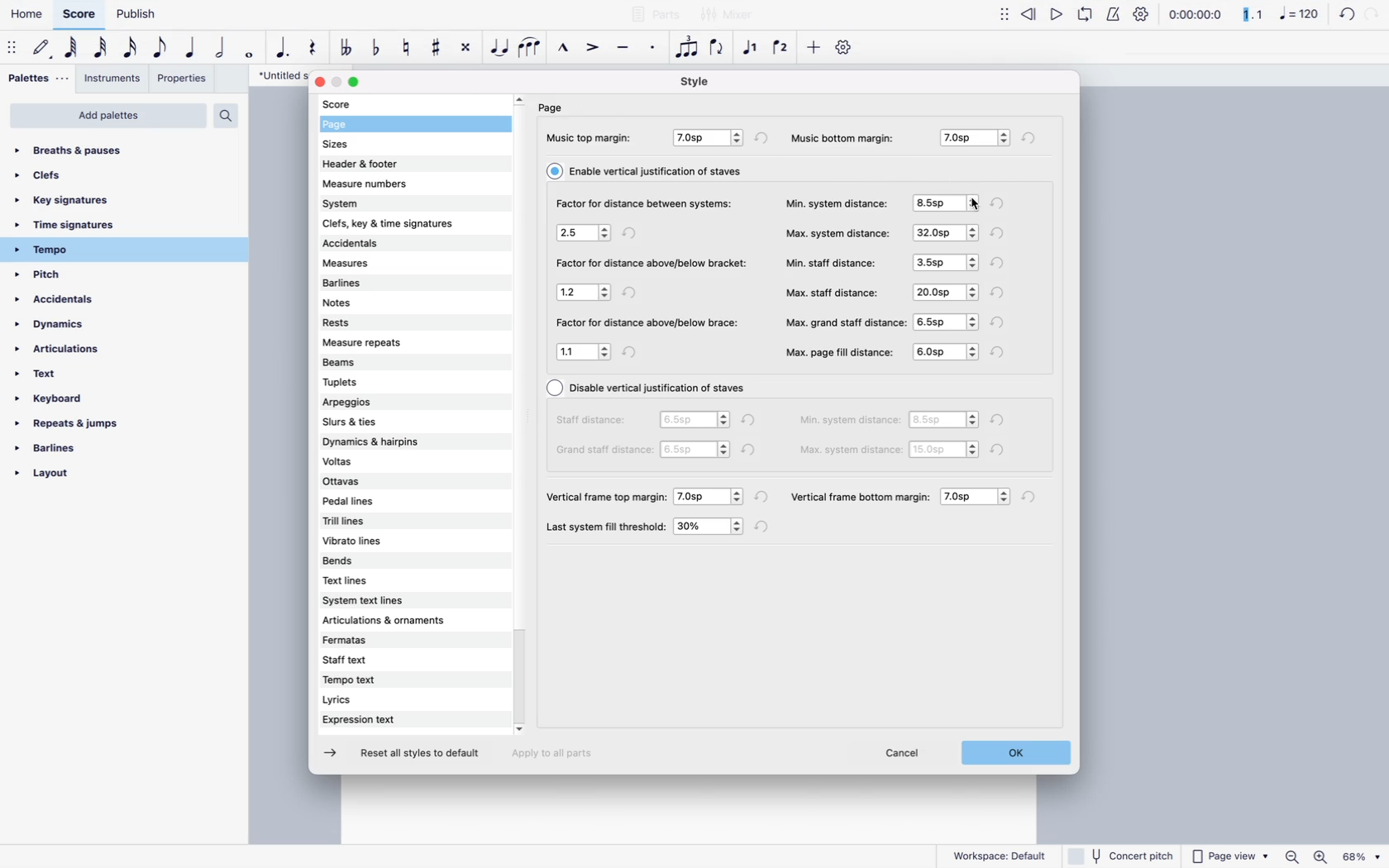  I want to click on apply to all parts, so click(560, 756).